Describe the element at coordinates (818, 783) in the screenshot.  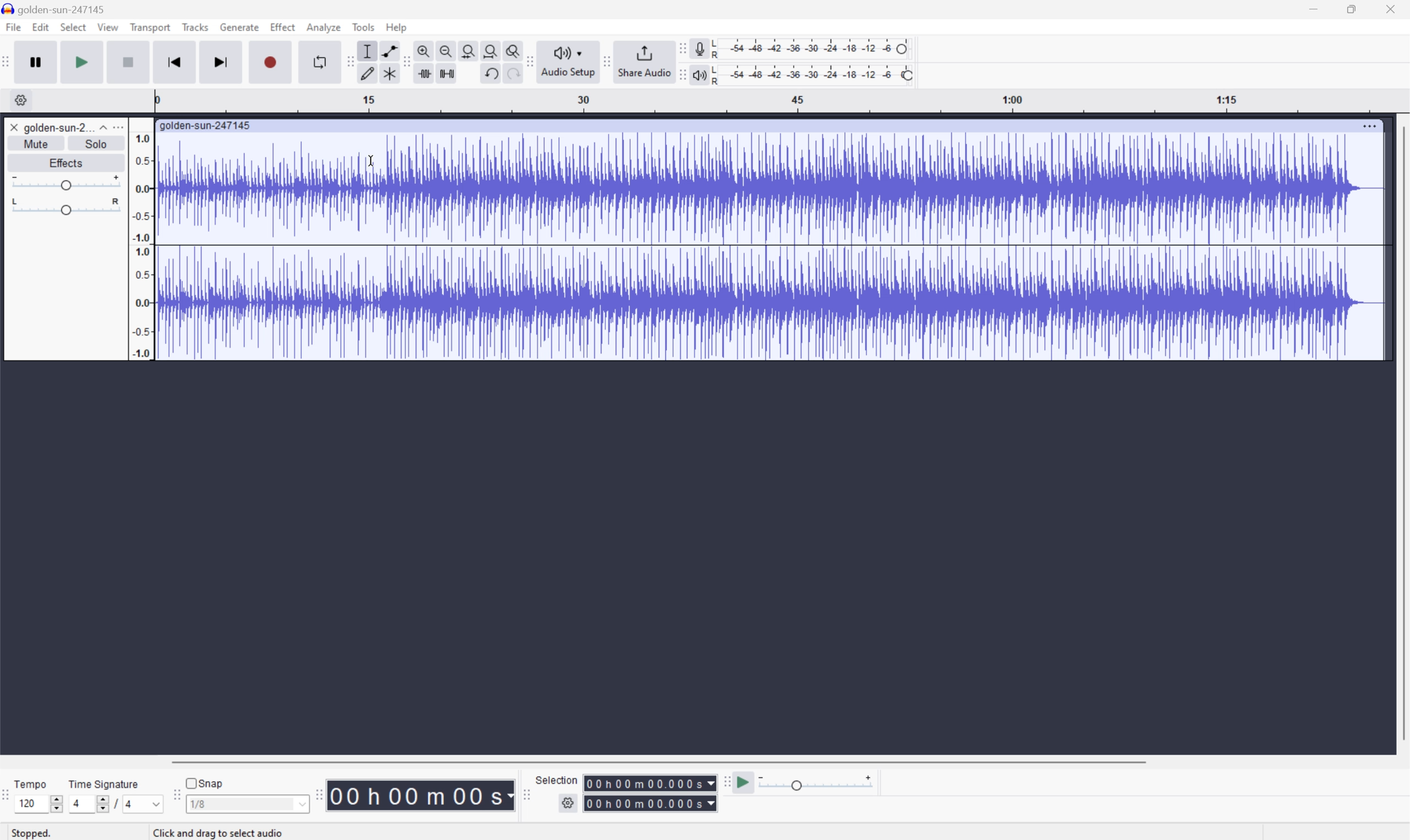
I see `Playback speed: 1.000 x` at that location.